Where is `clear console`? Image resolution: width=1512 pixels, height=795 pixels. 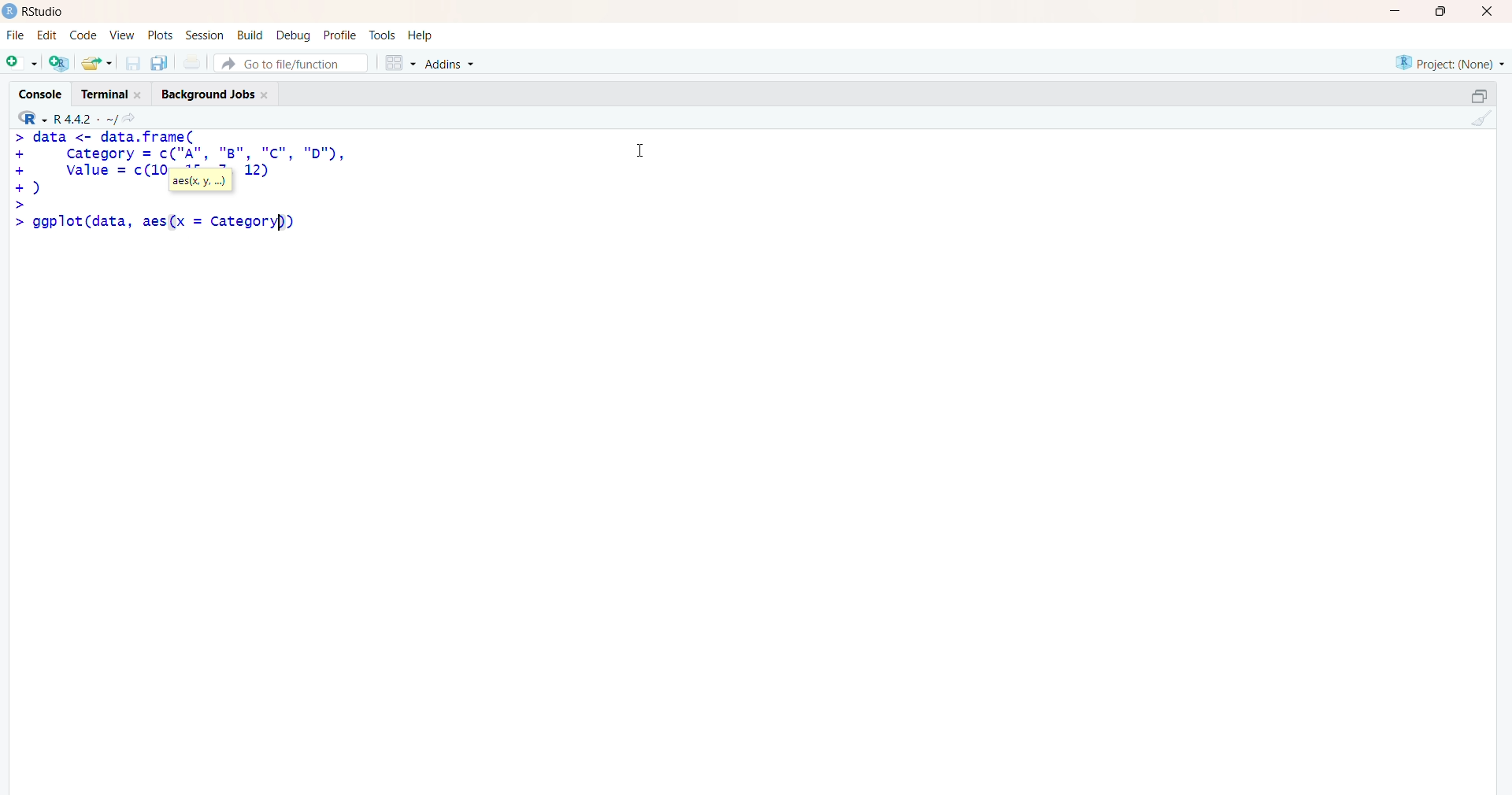
clear console is located at coordinates (1479, 118).